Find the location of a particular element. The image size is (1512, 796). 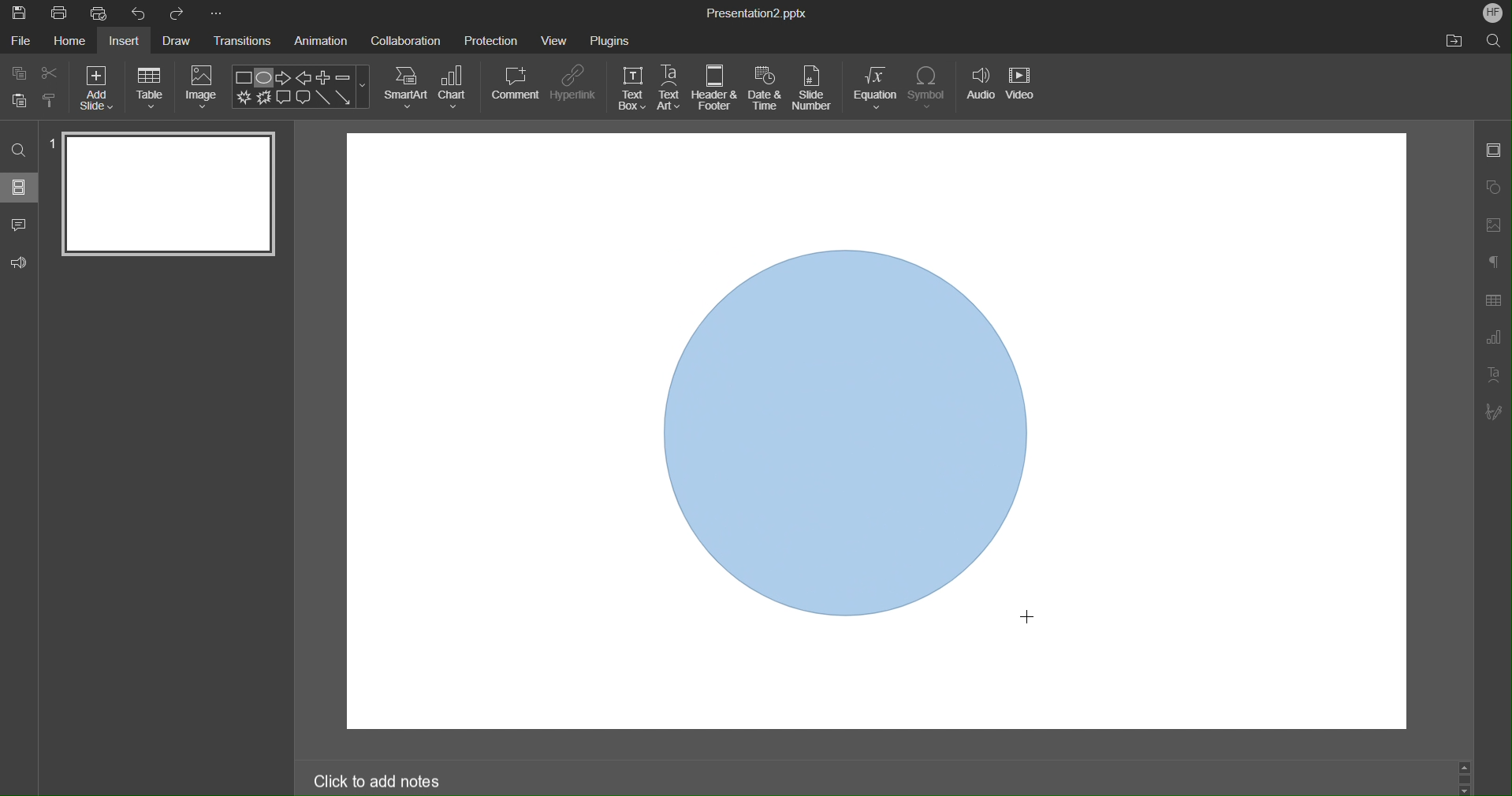

View is located at coordinates (556, 40).